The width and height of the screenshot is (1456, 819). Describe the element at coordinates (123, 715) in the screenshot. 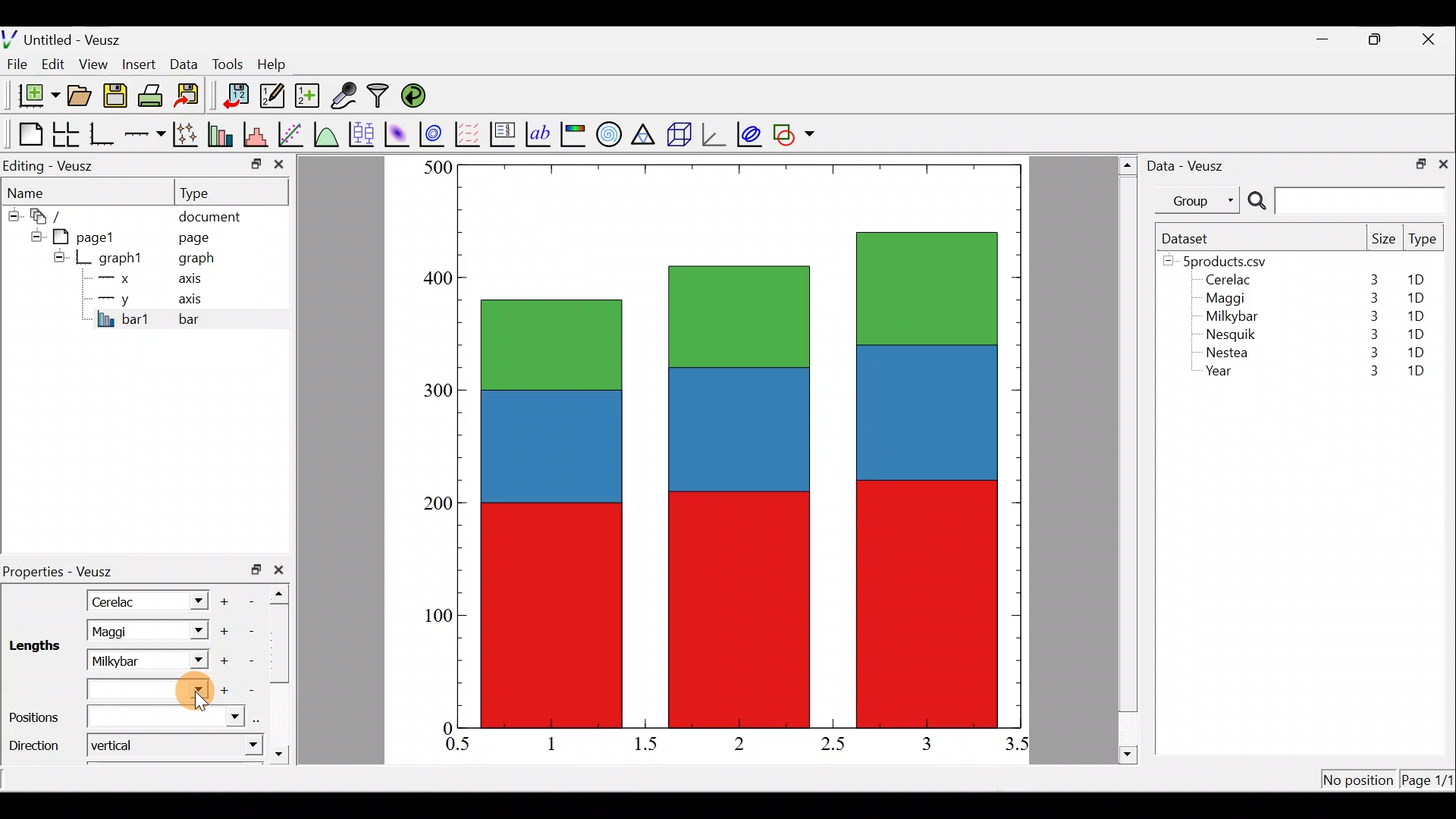

I see `Positions` at that location.